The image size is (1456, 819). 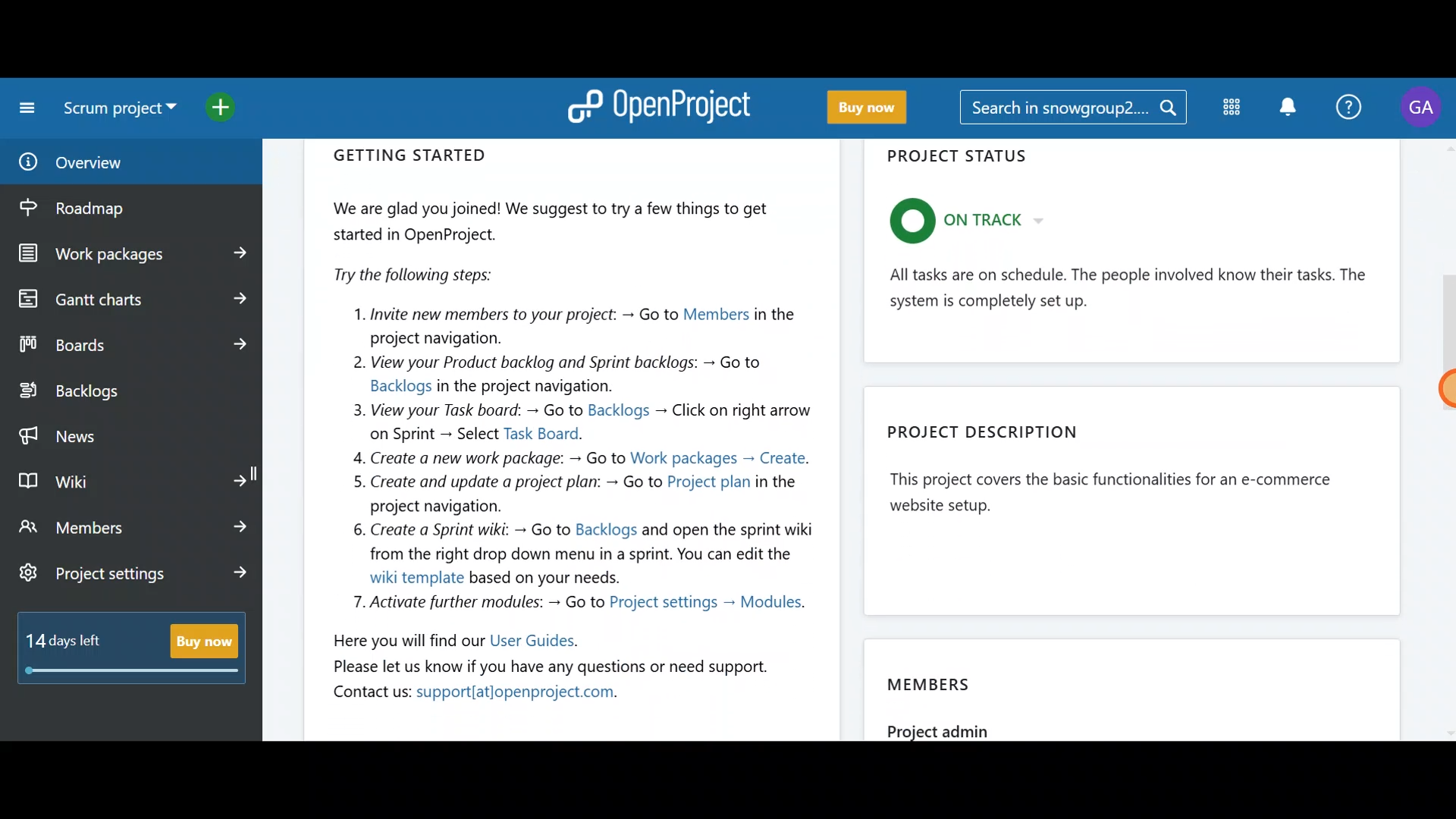 What do you see at coordinates (112, 162) in the screenshot?
I see `Overview` at bounding box center [112, 162].